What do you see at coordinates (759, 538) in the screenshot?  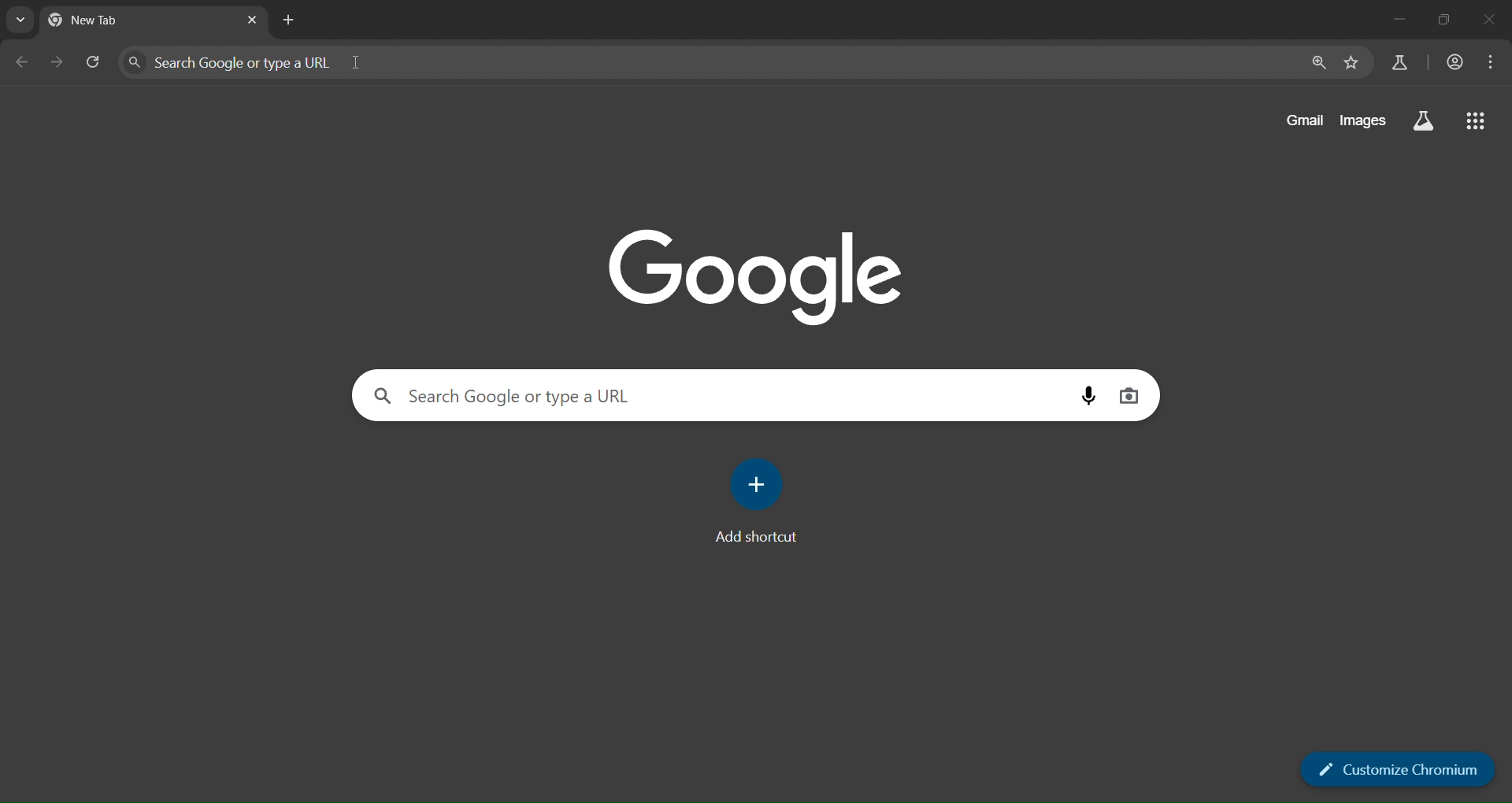 I see `Add shortcut` at bounding box center [759, 538].